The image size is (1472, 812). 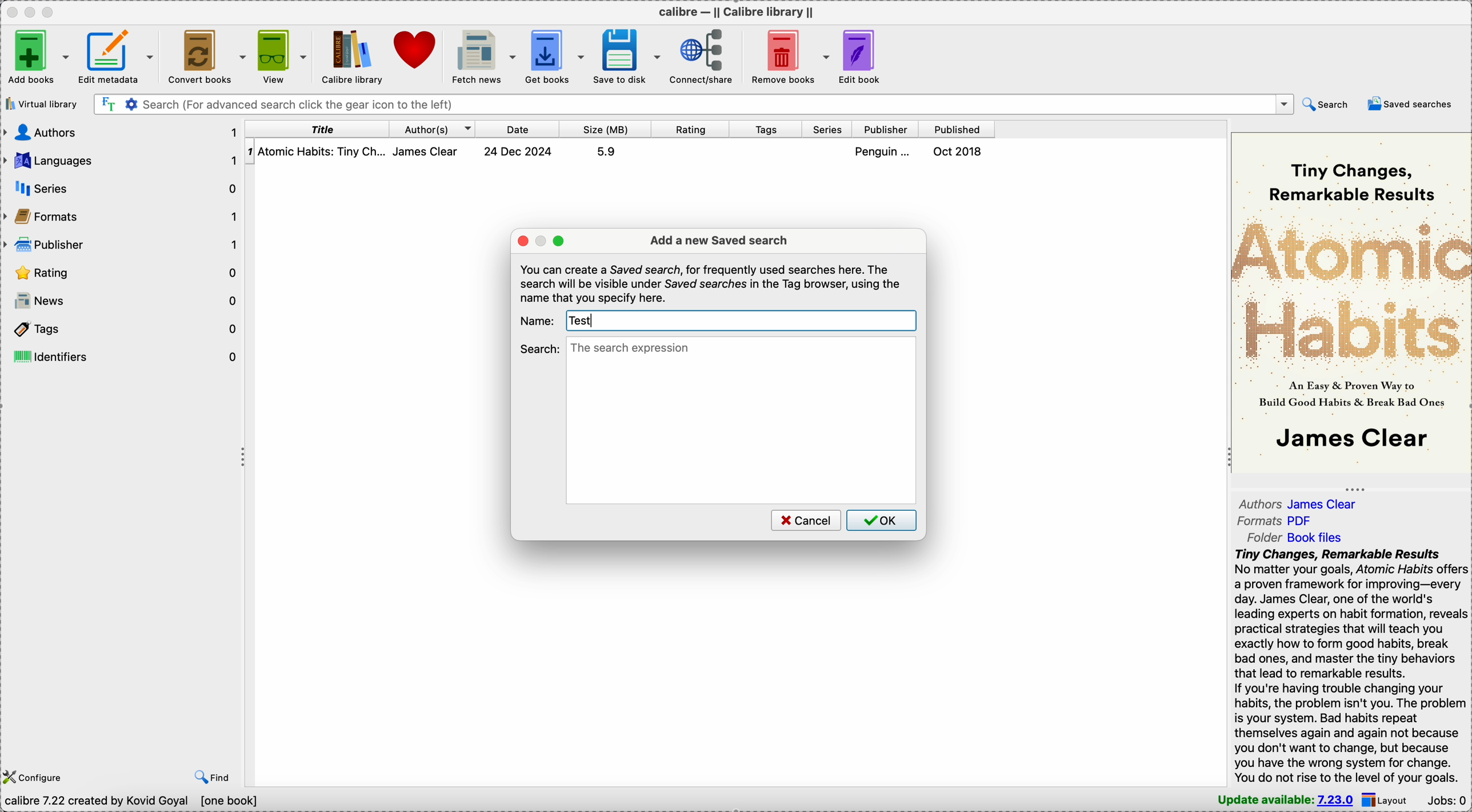 I want to click on save to disk, so click(x=629, y=55).